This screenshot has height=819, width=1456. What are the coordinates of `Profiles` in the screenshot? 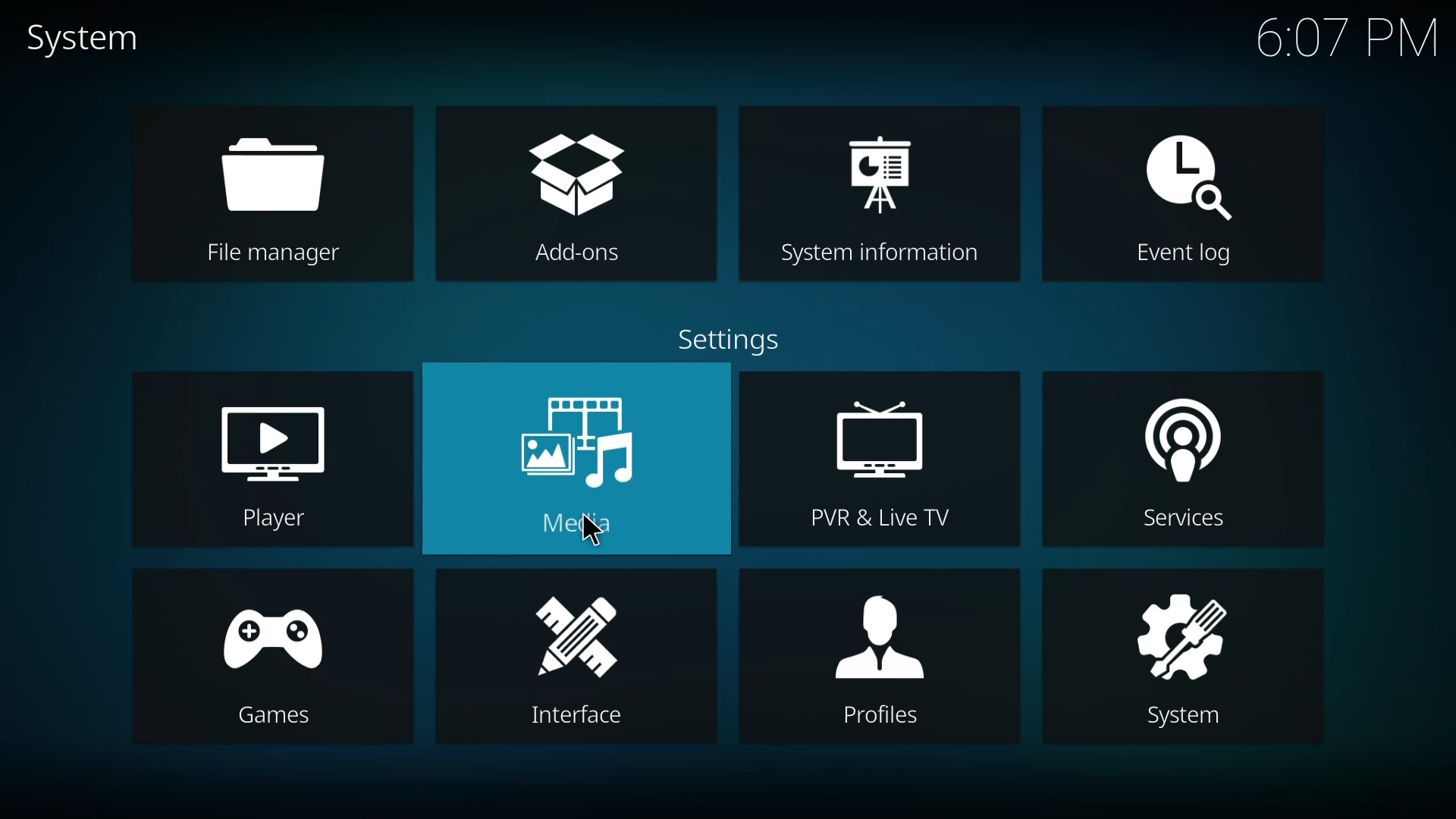 It's located at (877, 716).